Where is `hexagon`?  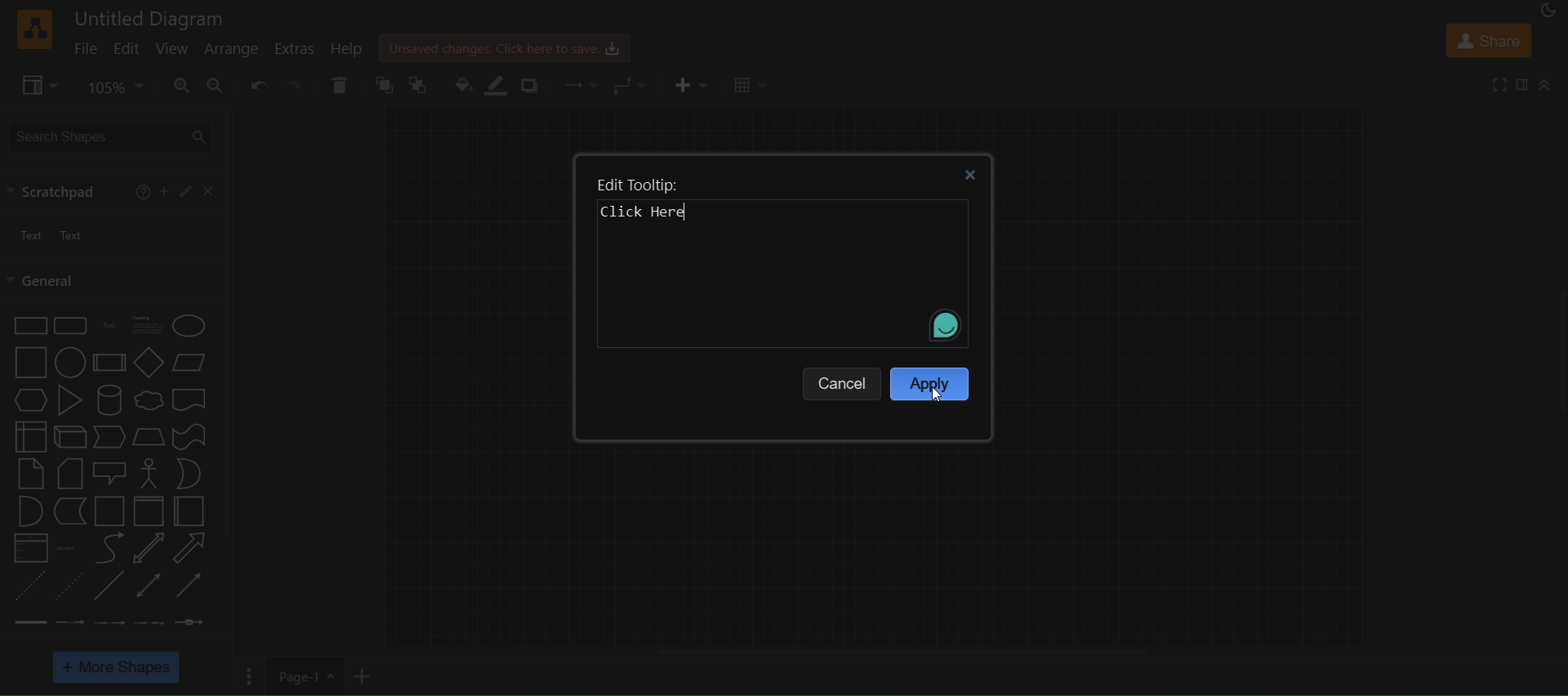
hexagon is located at coordinates (28, 400).